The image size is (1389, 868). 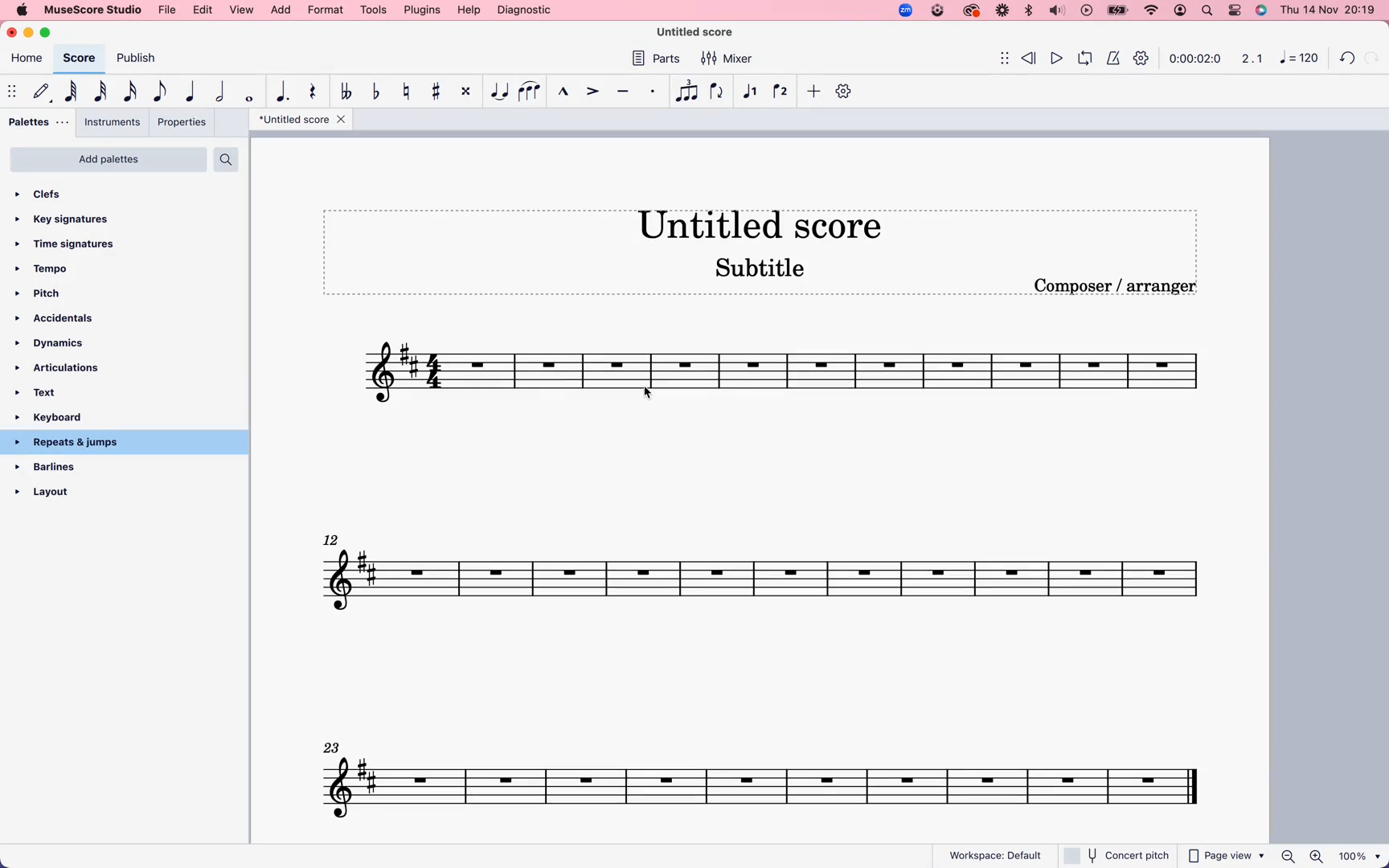 What do you see at coordinates (76, 444) in the screenshot?
I see `repeats & jumps` at bounding box center [76, 444].